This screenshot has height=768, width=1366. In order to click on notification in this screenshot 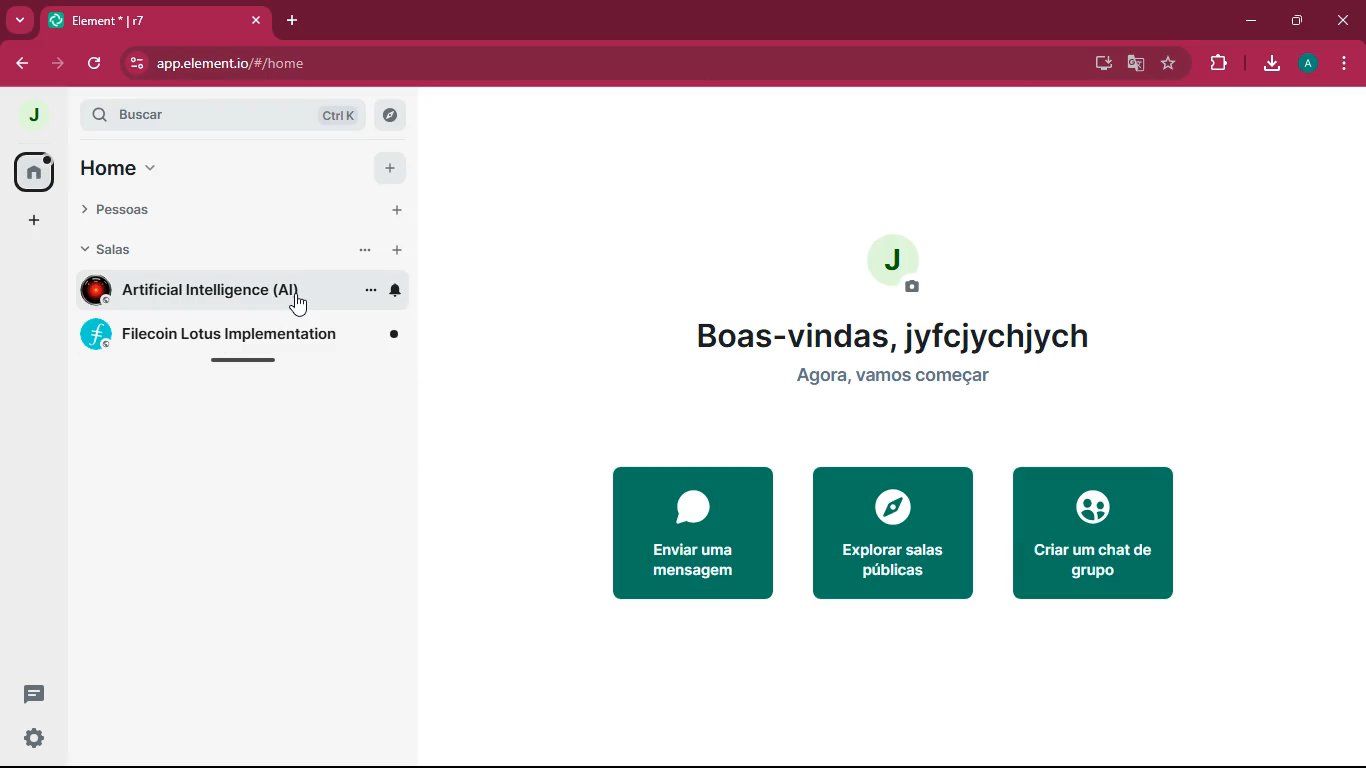, I will do `click(396, 291)`.